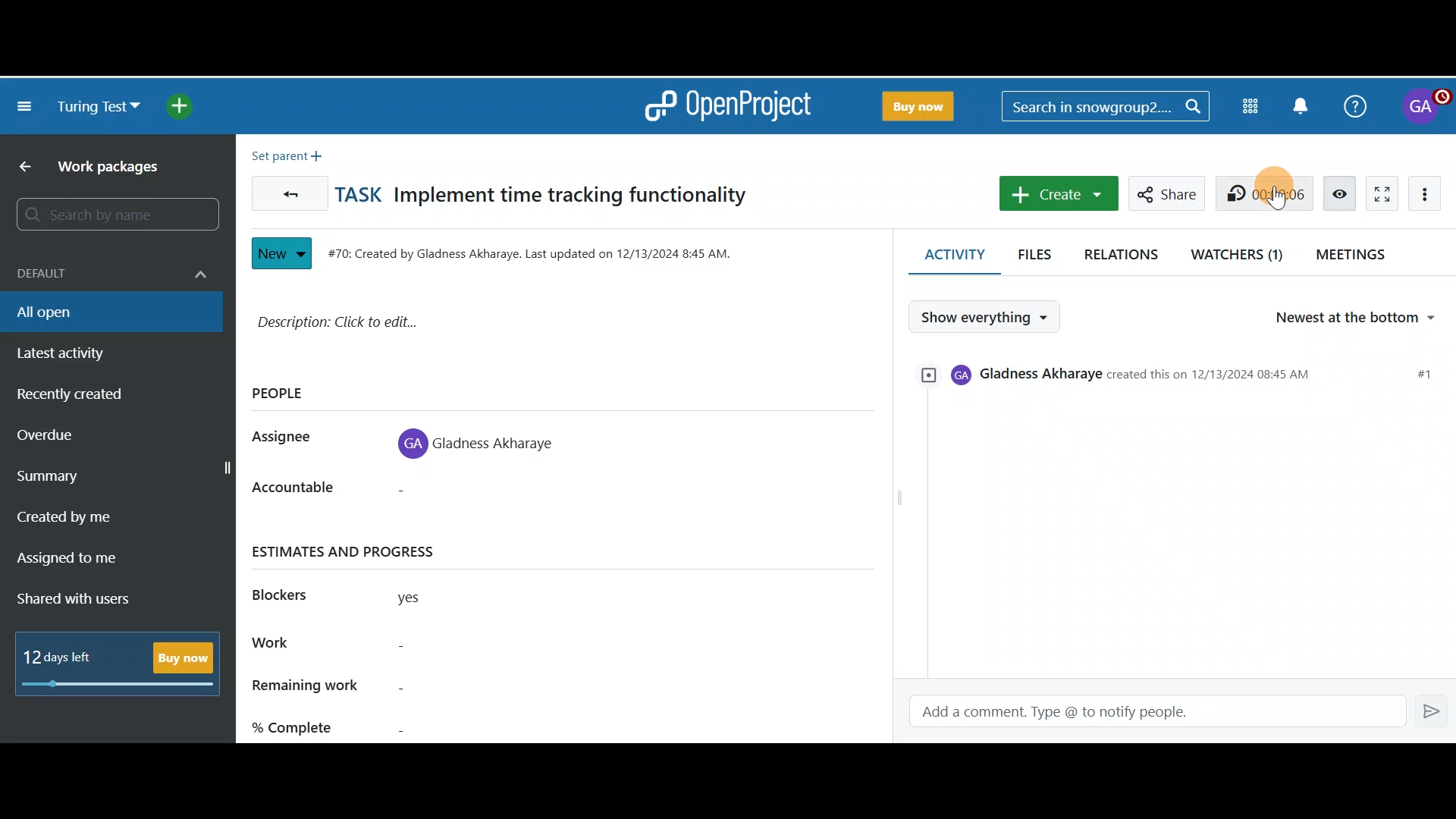 This screenshot has width=1456, height=819. Describe the element at coordinates (86, 440) in the screenshot. I see `Overdue` at that location.